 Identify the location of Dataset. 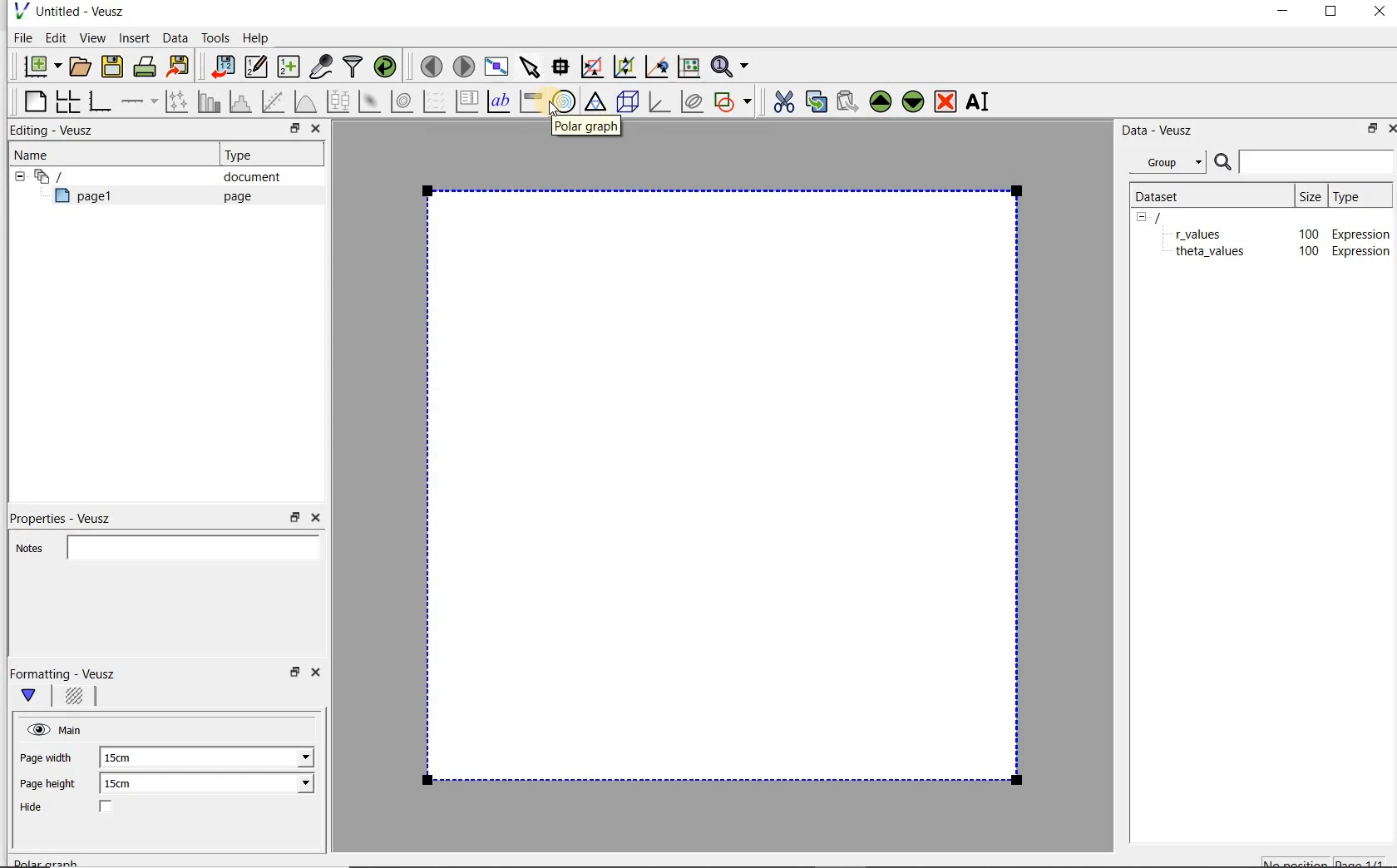
(1166, 195).